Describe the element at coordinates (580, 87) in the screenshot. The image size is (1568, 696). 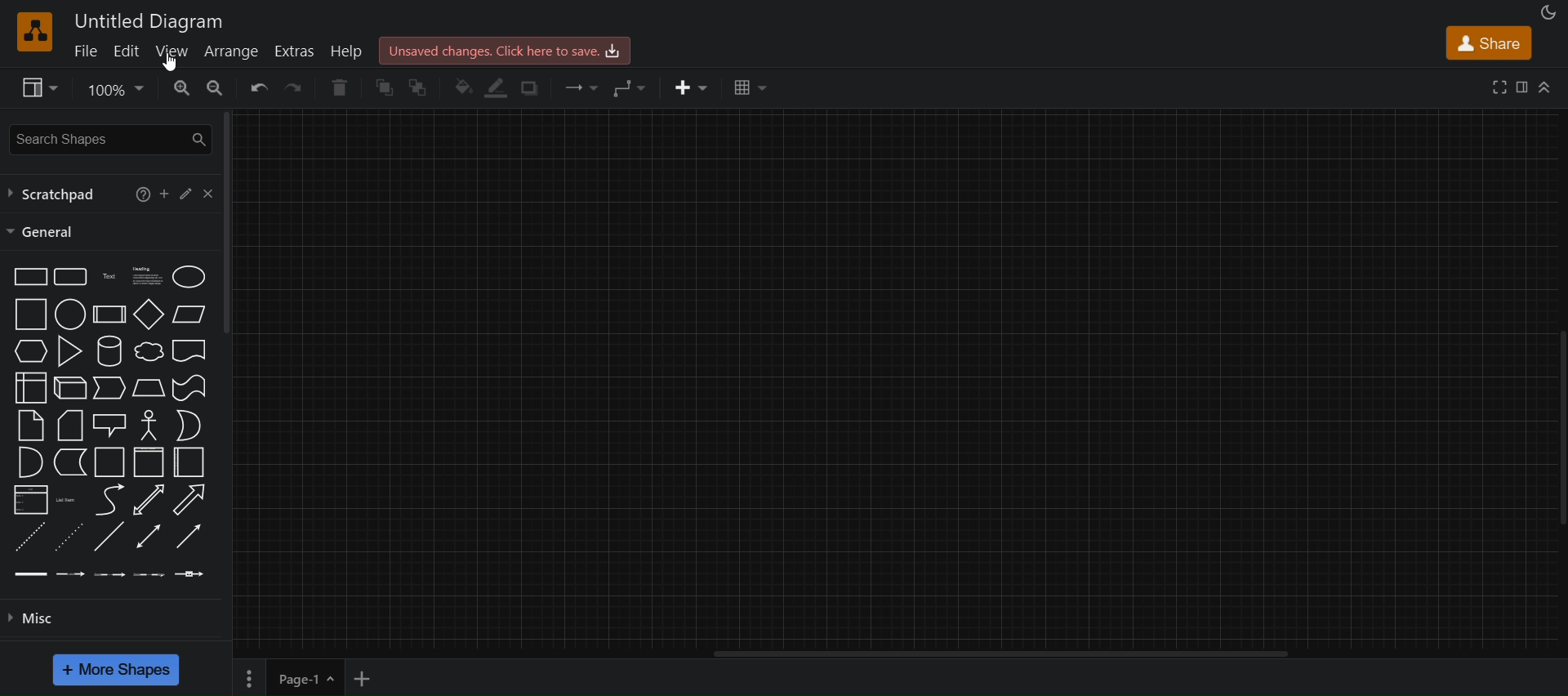
I see `connection` at that location.